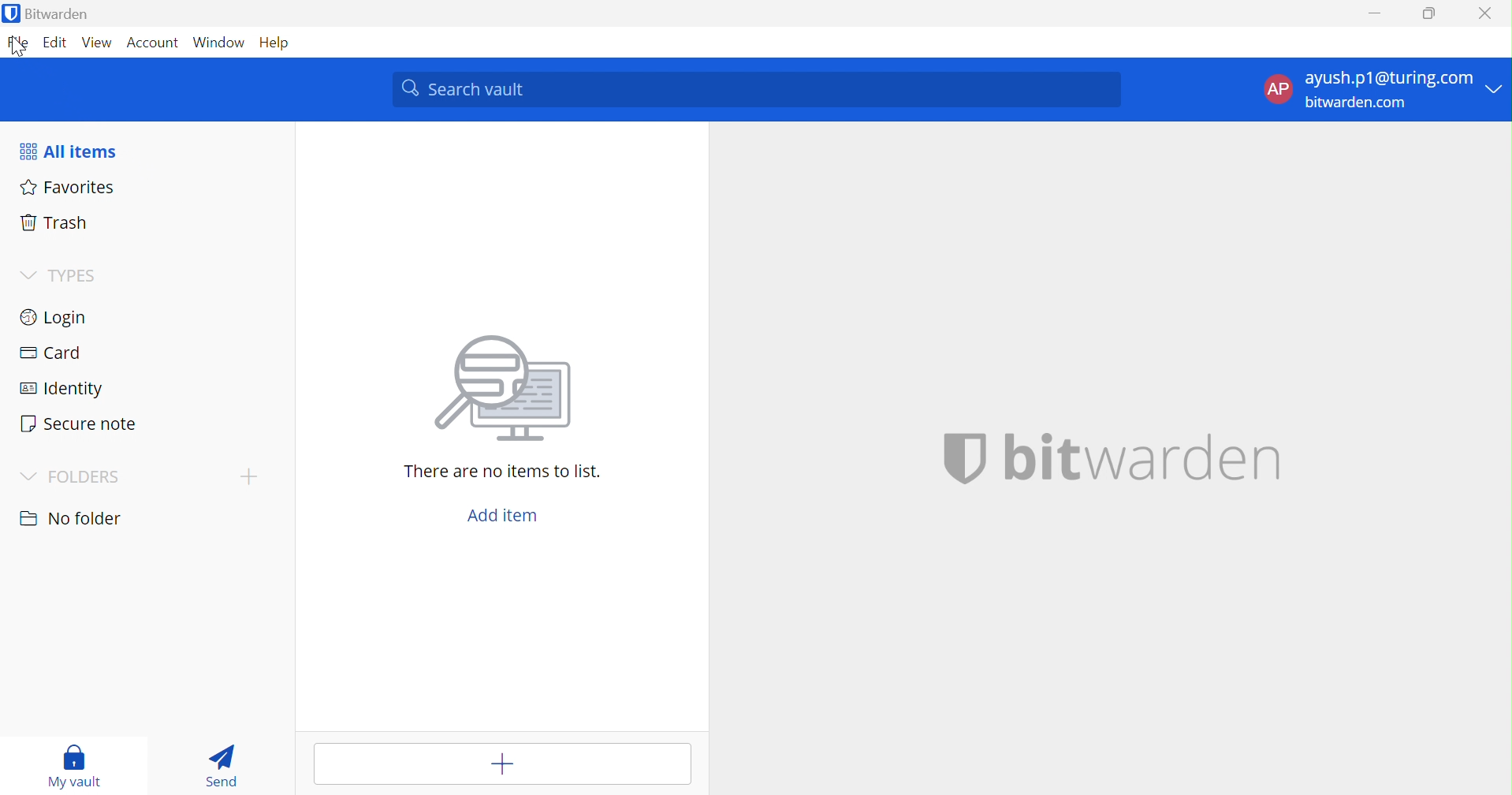 Image resolution: width=1512 pixels, height=795 pixels. Describe the element at coordinates (79, 274) in the screenshot. I see `TYPES` at that location.